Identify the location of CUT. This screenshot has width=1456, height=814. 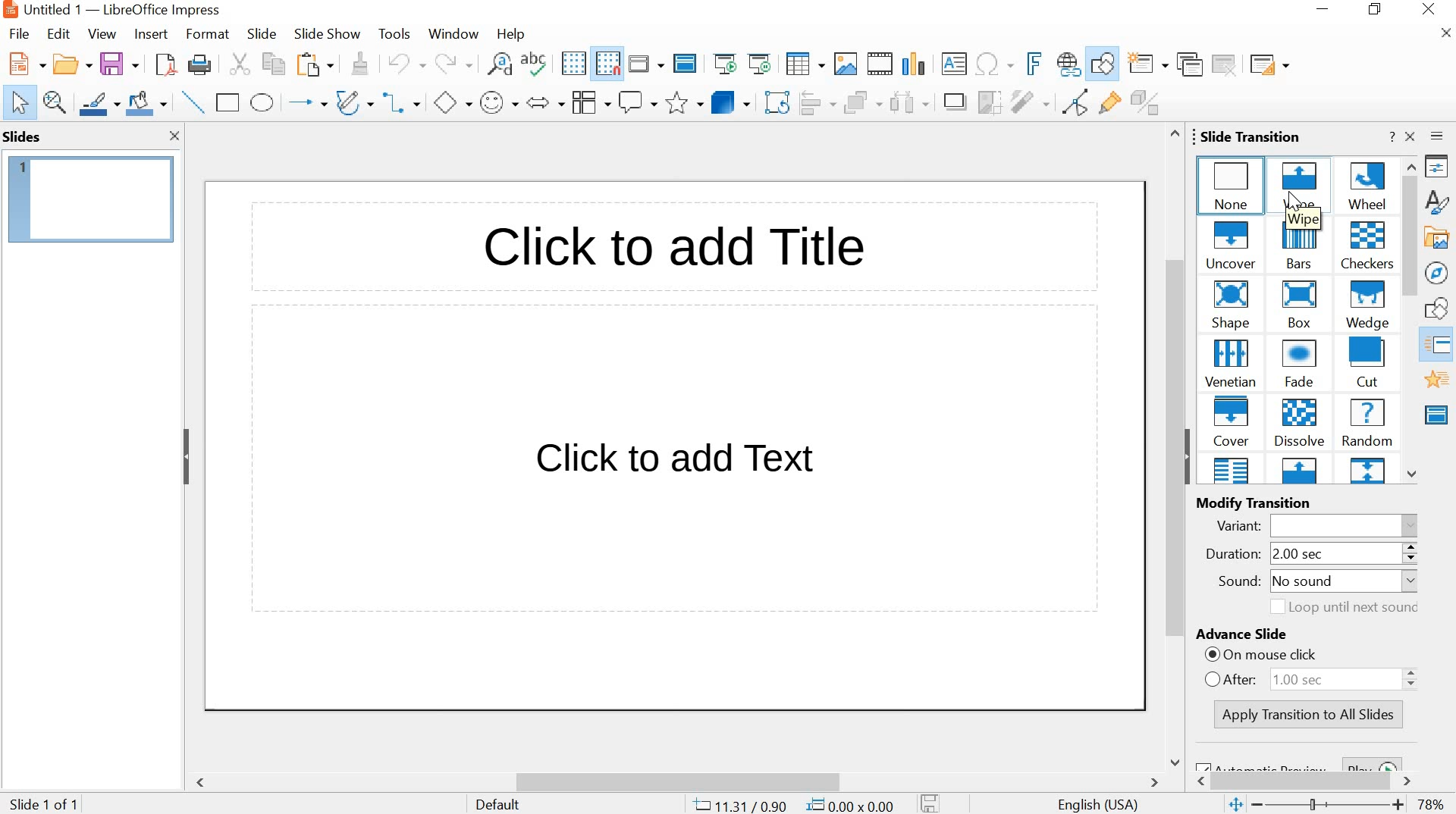
(240, 64).